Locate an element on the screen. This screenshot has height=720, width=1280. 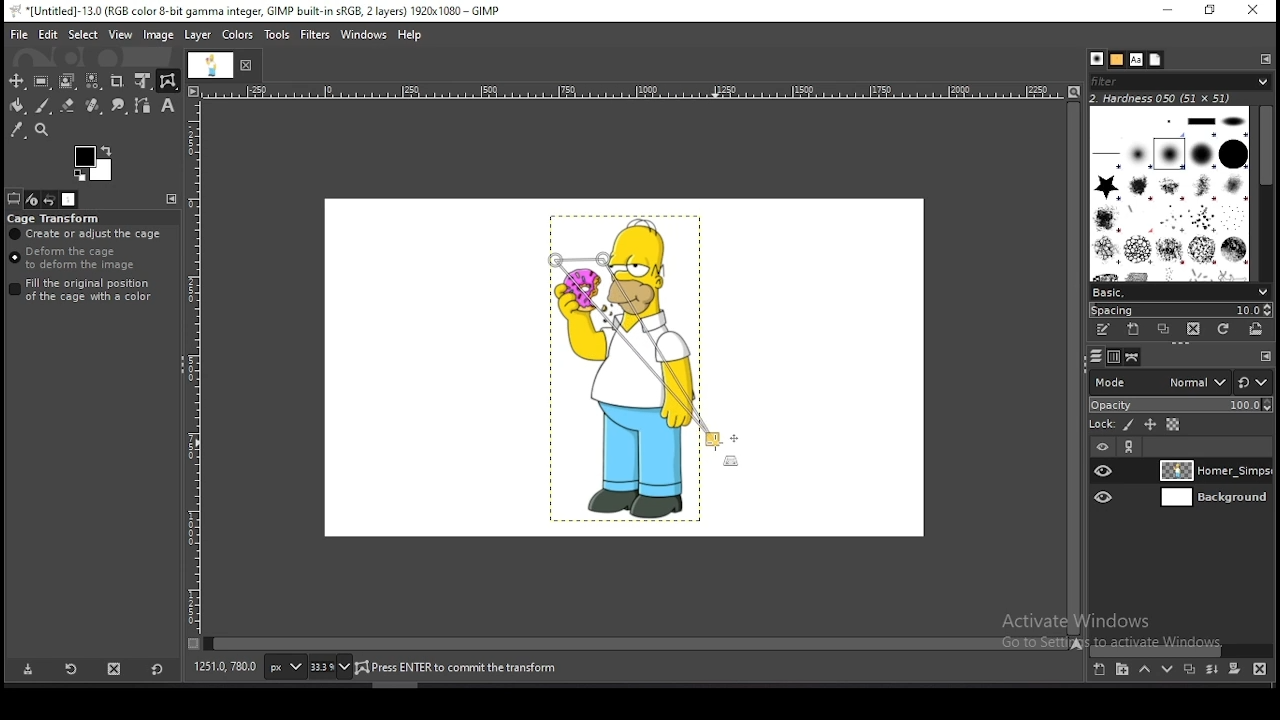
duplicate brush is located at coordinates (1168, 331).